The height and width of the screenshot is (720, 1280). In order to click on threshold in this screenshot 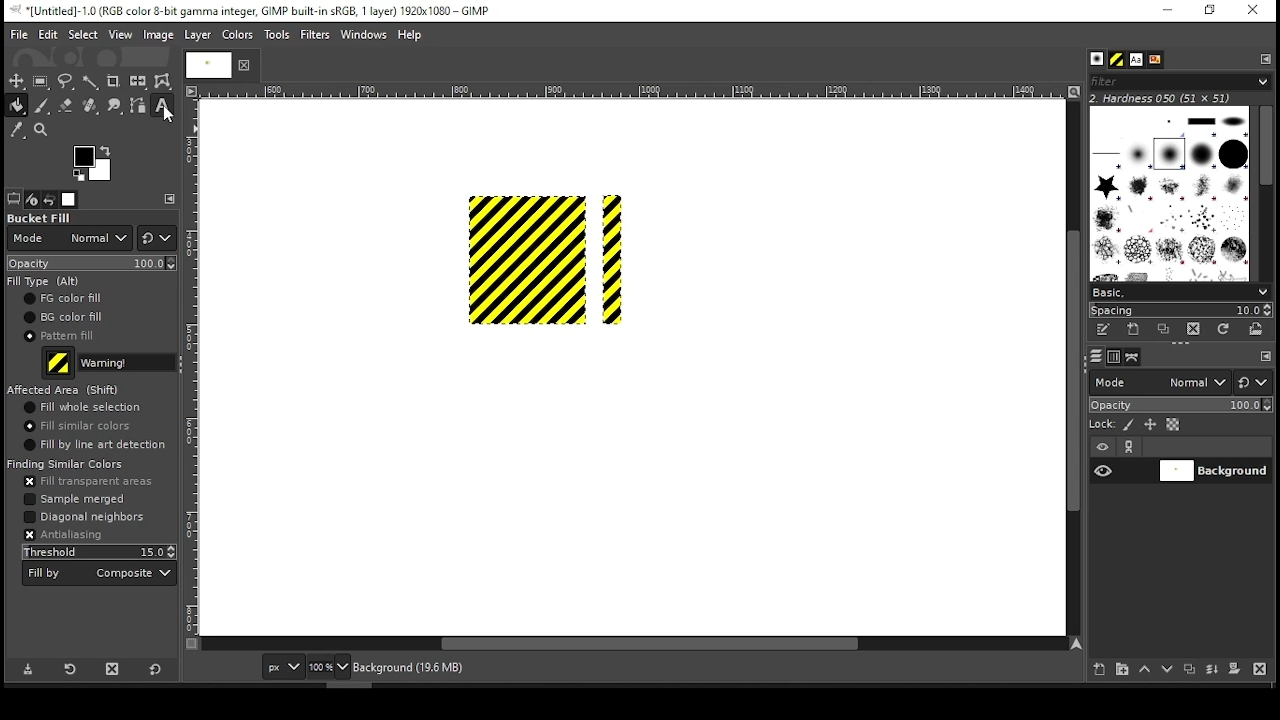, I will do `click(100, 552)`.